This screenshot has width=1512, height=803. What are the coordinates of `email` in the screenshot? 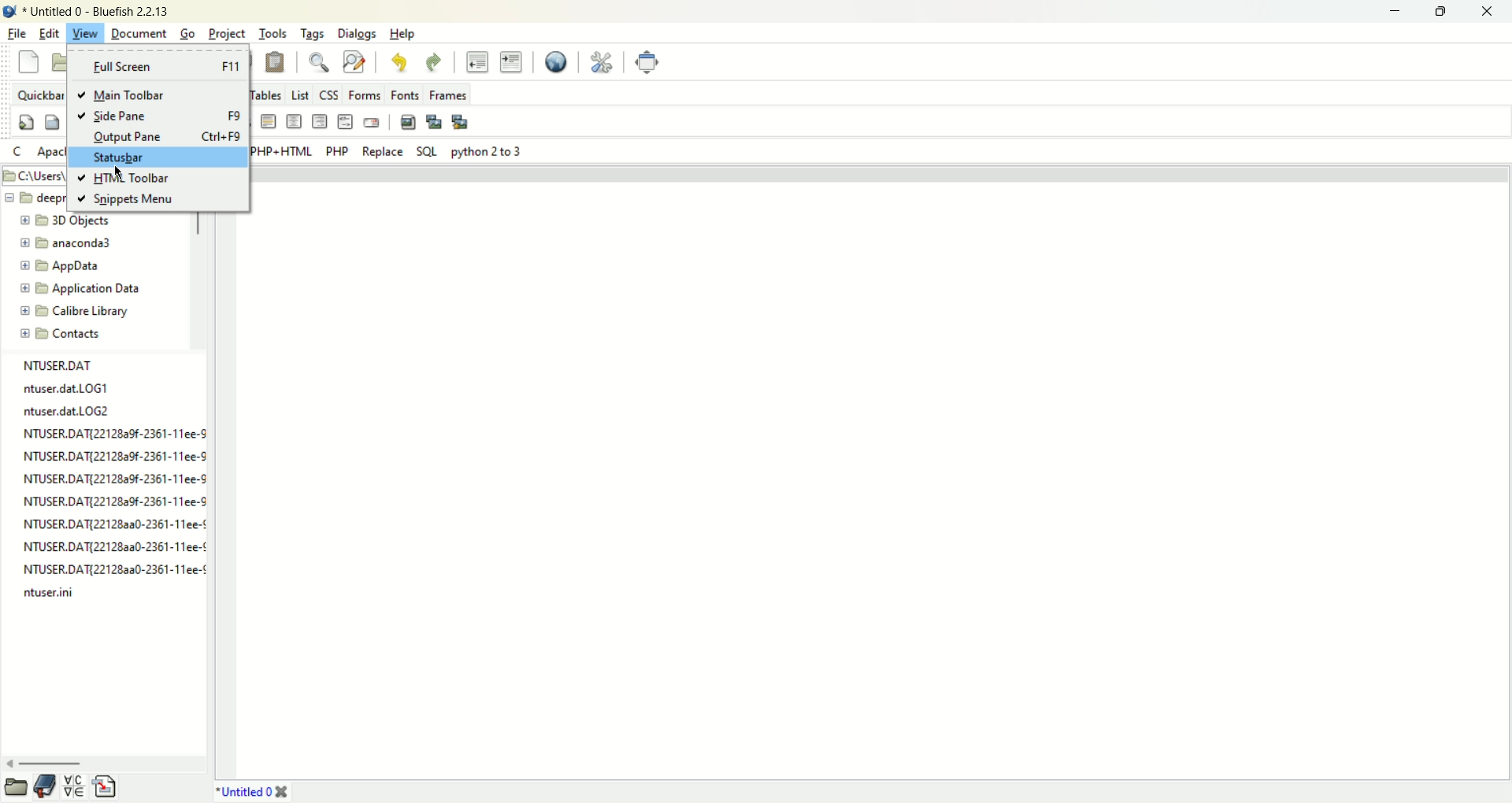 It's located at (371, 121).